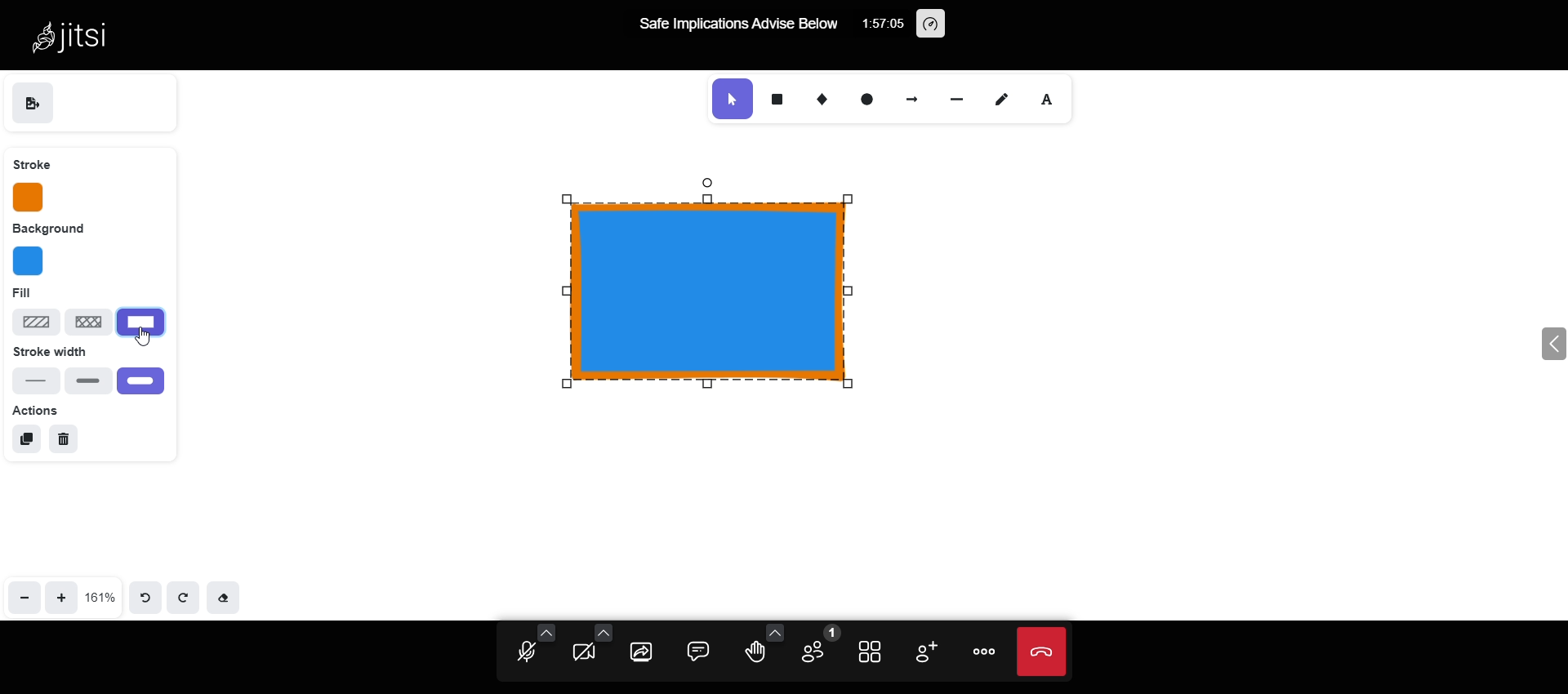 The image size is (1568, 694). Describe the element at coordinates (37, 324) in the screenshot. I see `Hachure fill type` at that location.